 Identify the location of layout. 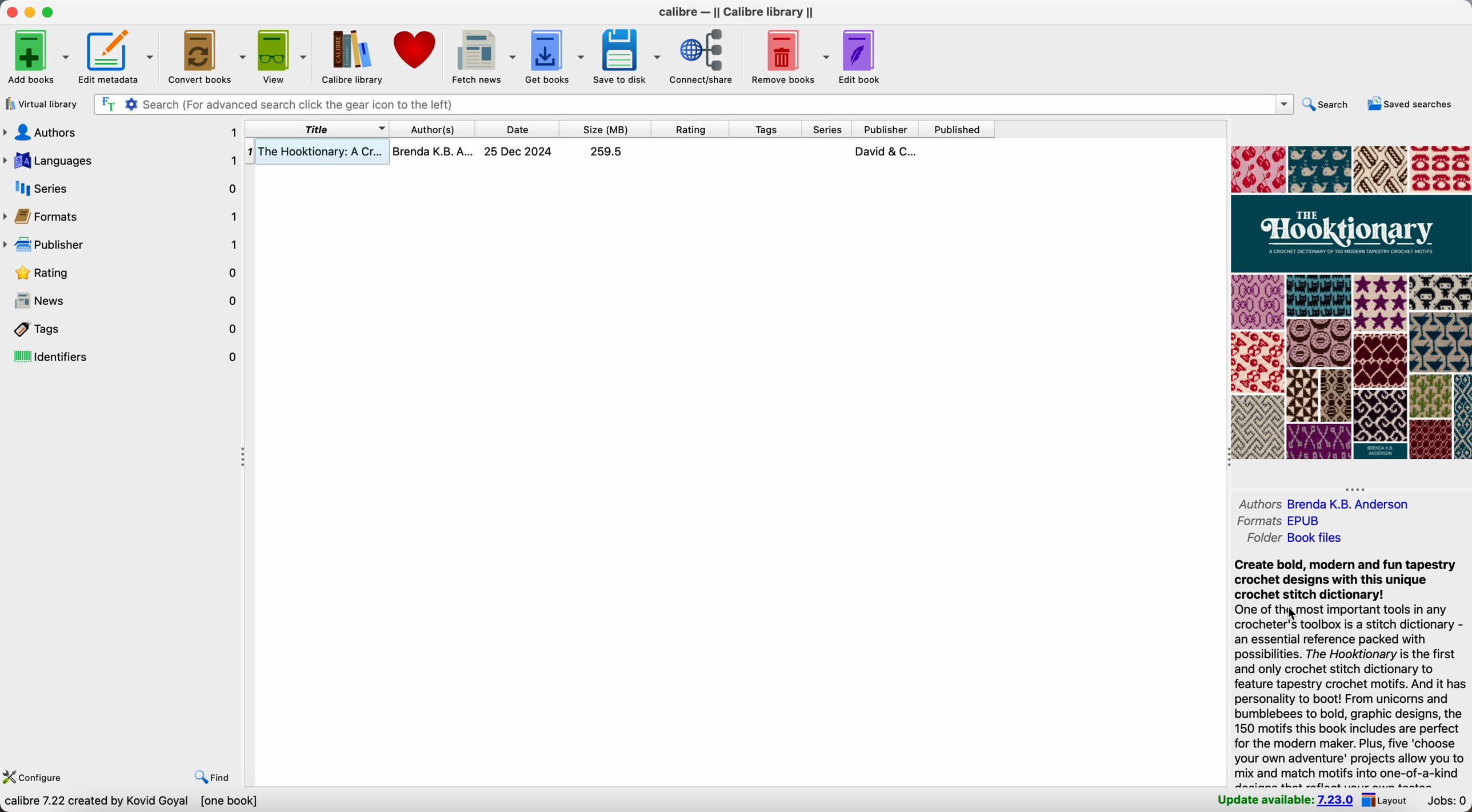
(1389, 801).